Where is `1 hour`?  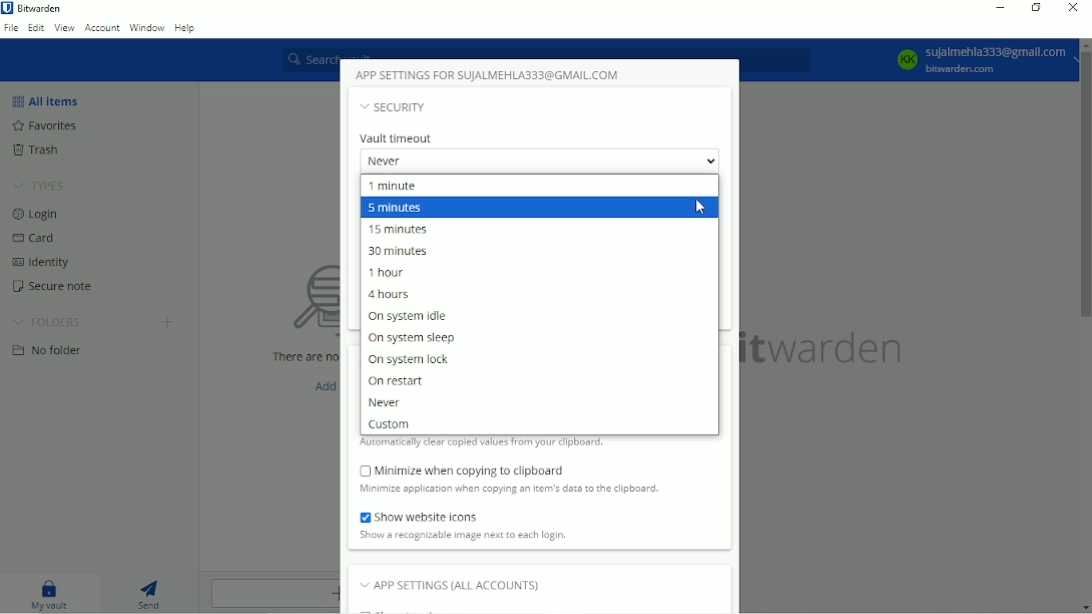
1 hour is located at coordinates (386, 273).